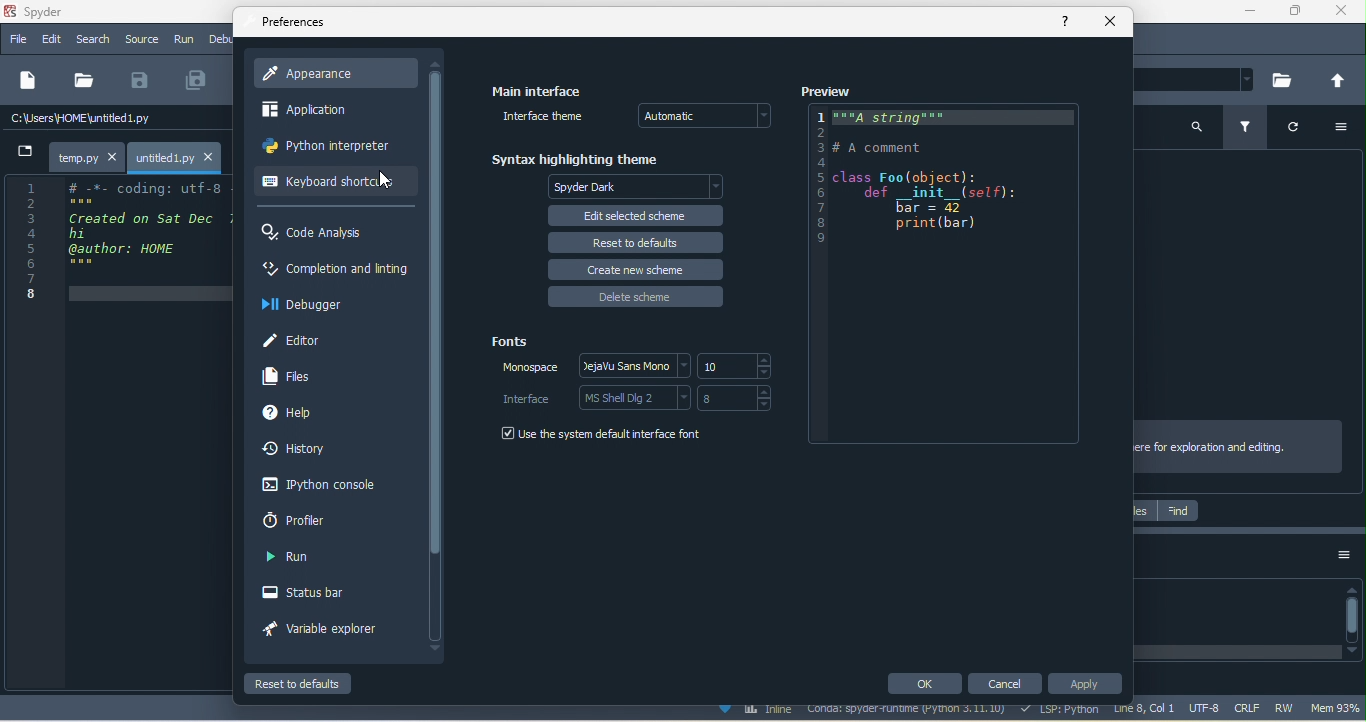 The height and width of the screenshot is (722, 1366). I want to click on 10, so click(736, 366).